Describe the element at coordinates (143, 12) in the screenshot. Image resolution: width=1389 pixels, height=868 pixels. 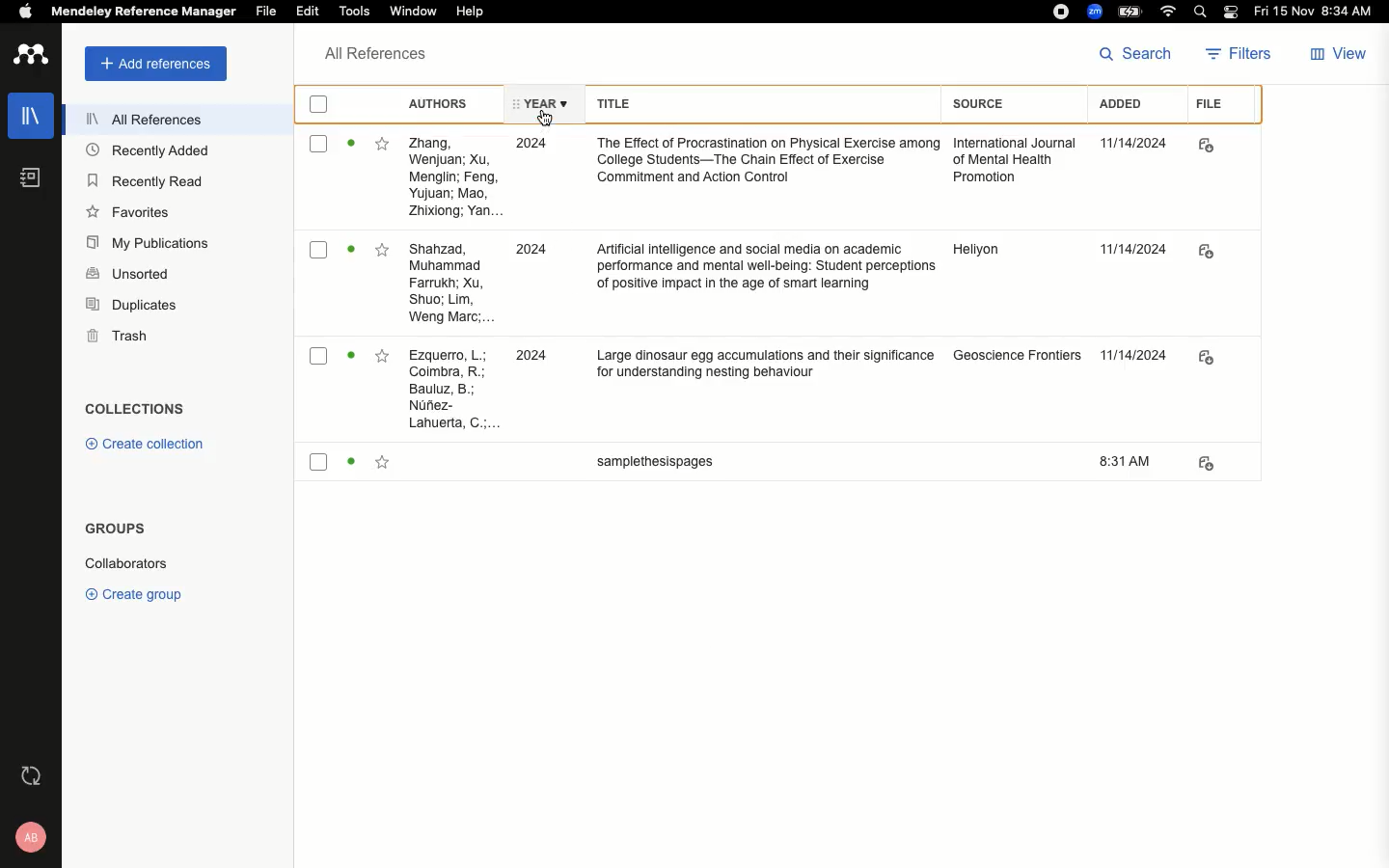
I see `Mendeley reference manager` at that location.